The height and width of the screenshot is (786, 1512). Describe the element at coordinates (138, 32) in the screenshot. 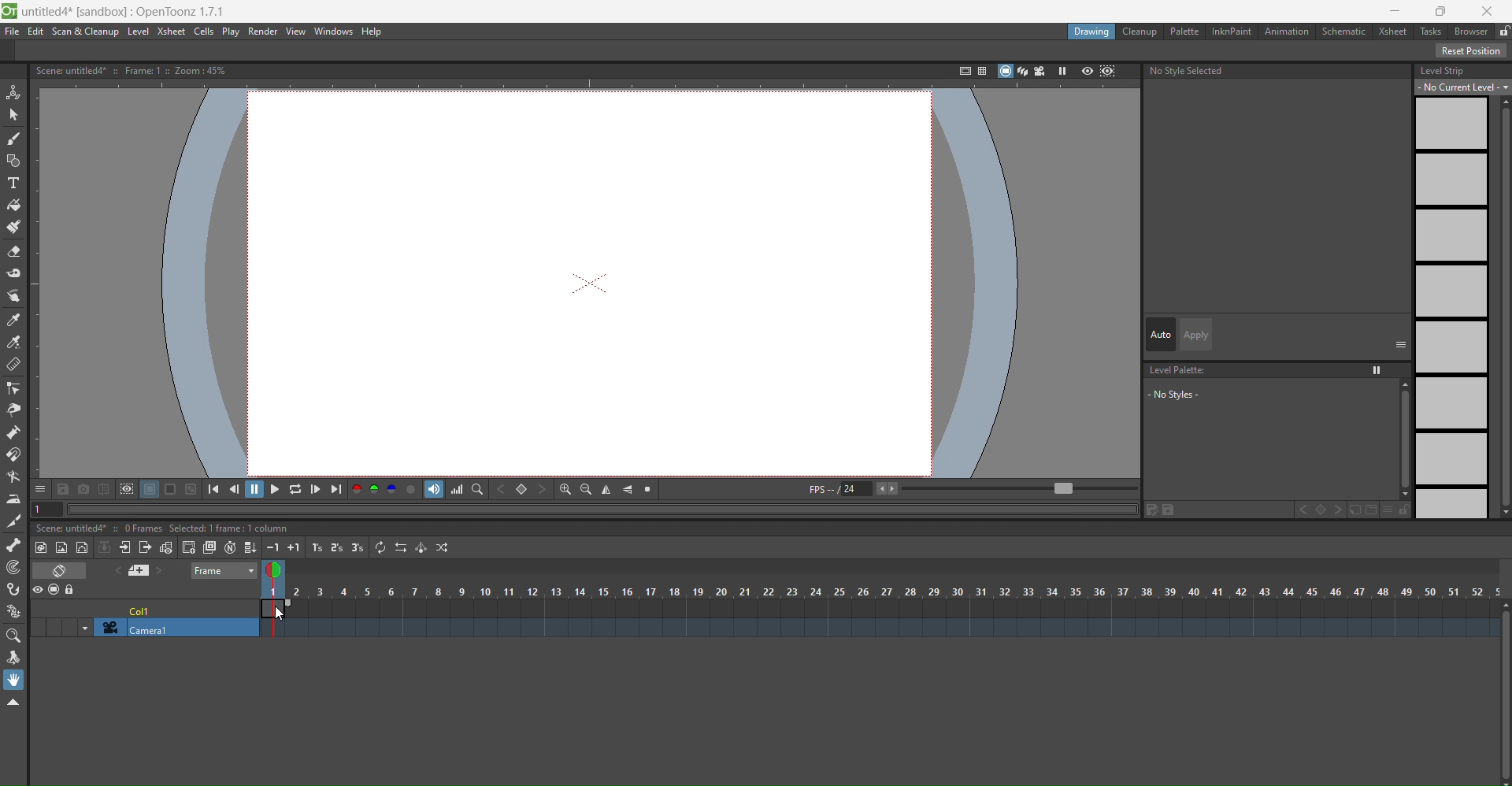

I see `level` at that location.